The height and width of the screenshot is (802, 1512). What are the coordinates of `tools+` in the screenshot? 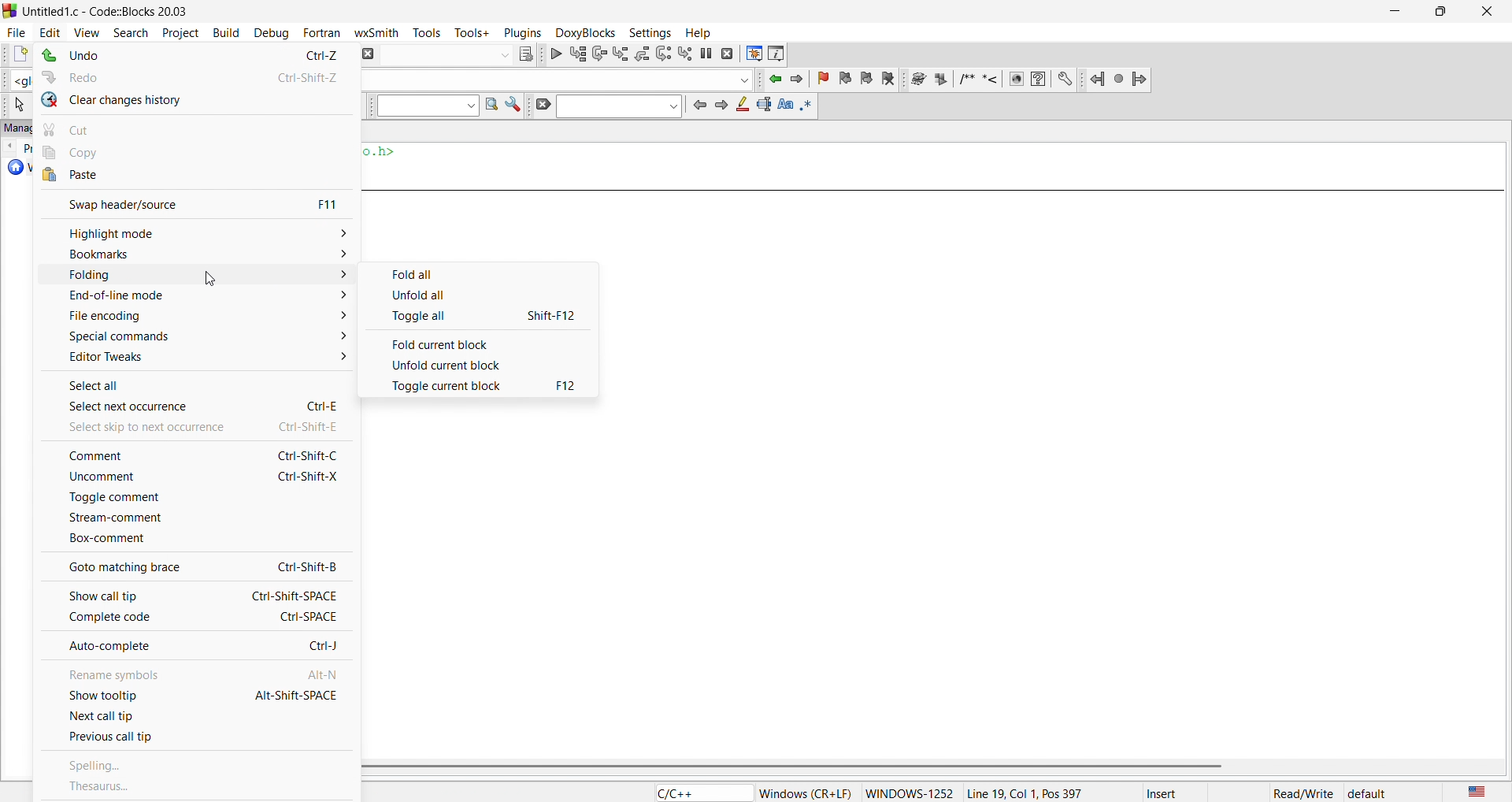 It's located at (472, 32).